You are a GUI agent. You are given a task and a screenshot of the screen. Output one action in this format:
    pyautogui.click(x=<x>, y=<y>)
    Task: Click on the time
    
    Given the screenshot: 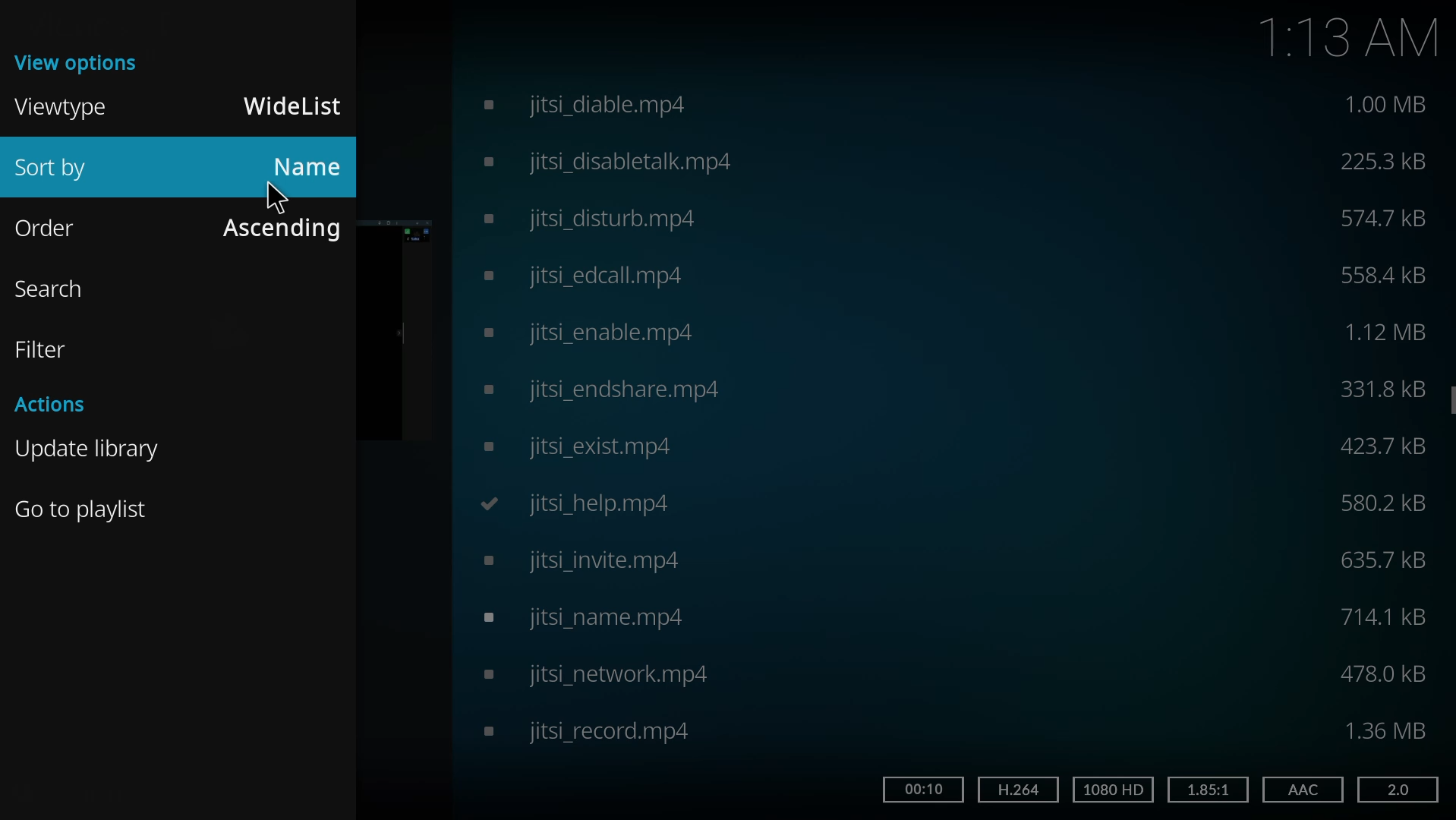 What is the action you would take?
    pyautogui.click(x=925, y=791)
    